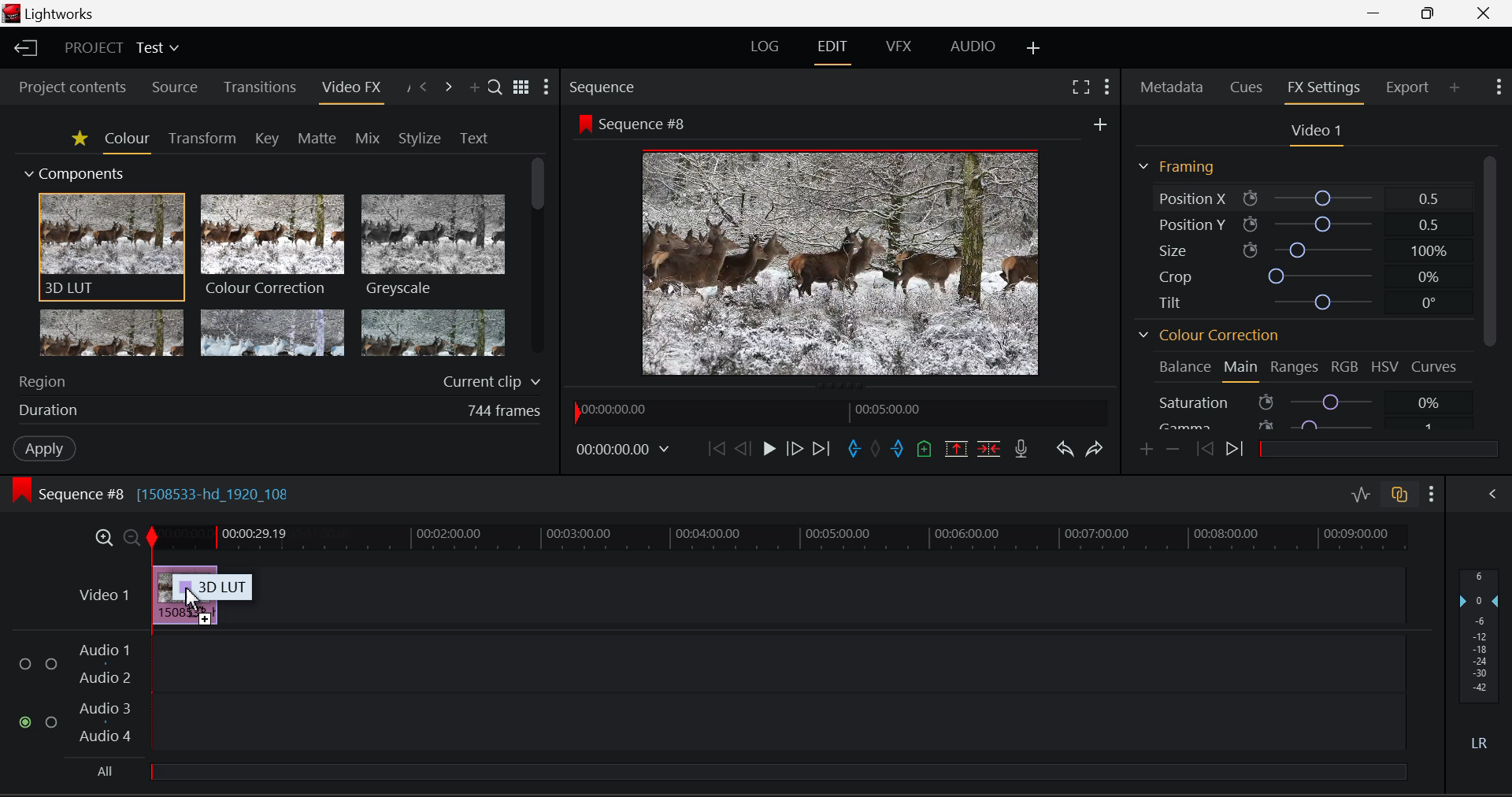 The width and height of the screenshot is (1512, 797). What do you see at coordinates (176, 87) in the screenshot?
I see `Source` at bounding box center [176, 87].